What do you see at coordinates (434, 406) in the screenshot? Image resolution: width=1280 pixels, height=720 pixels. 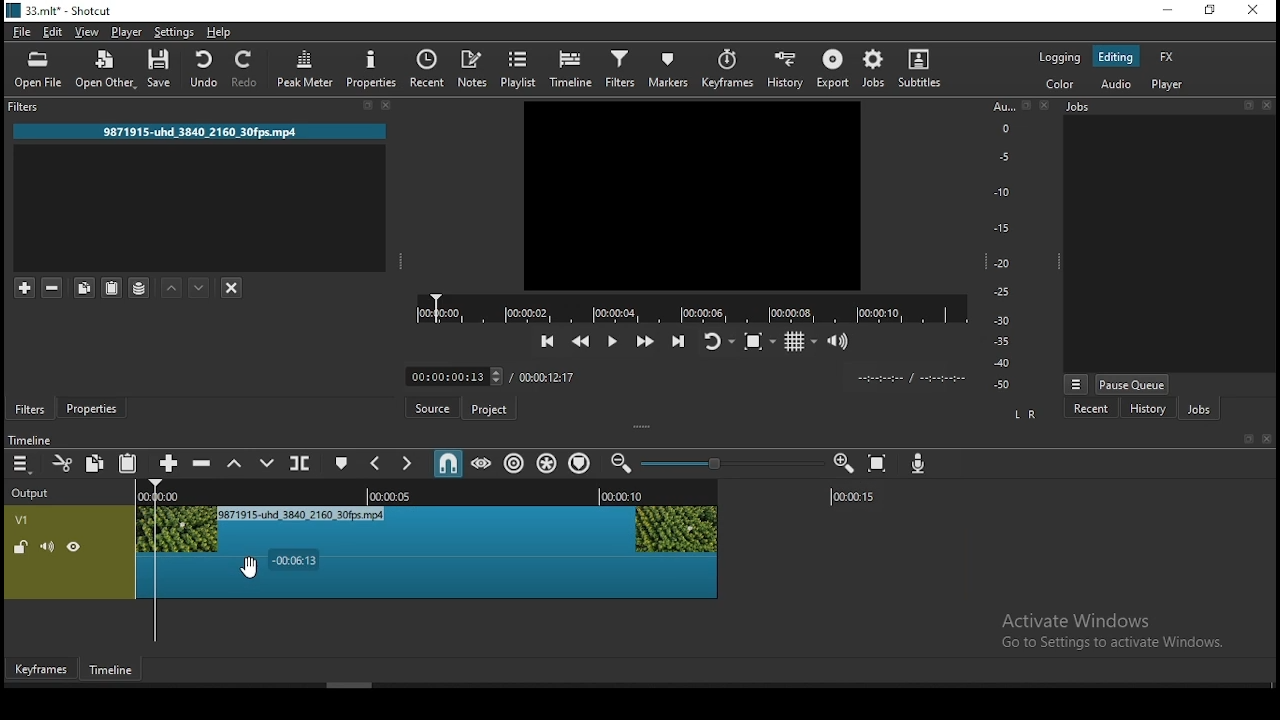 I see `Source` at bounding box center [434, 406].